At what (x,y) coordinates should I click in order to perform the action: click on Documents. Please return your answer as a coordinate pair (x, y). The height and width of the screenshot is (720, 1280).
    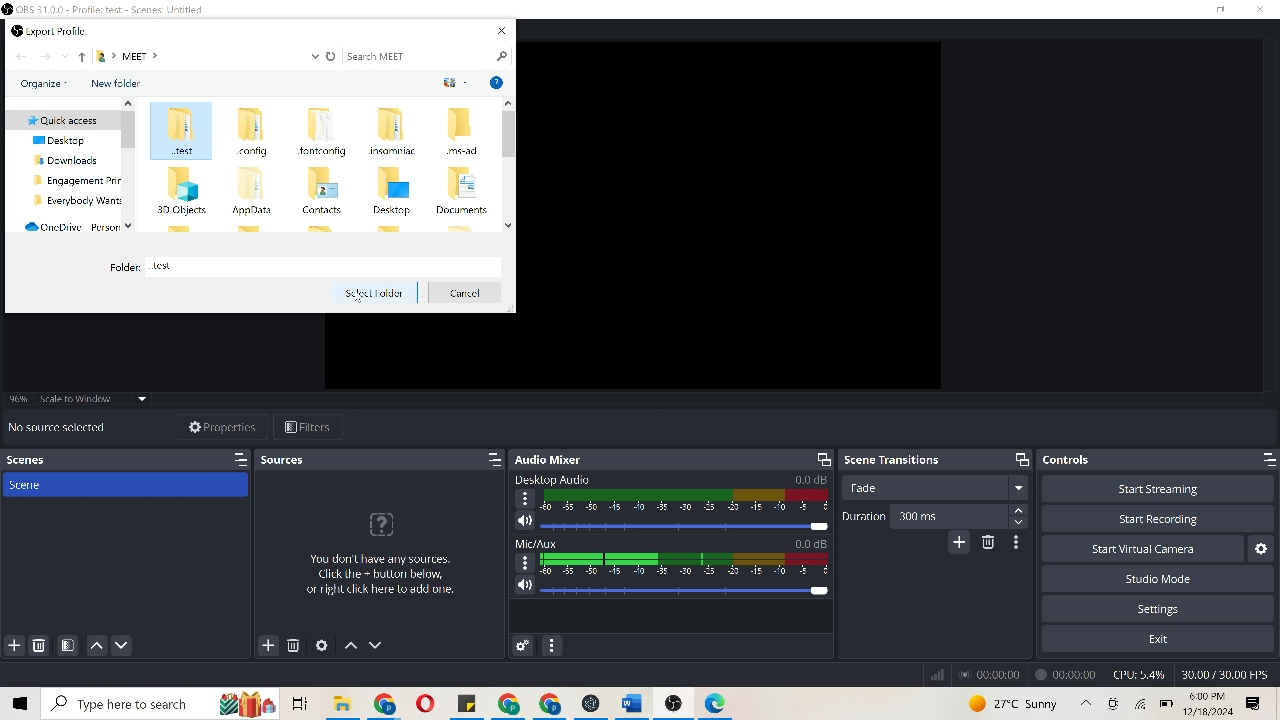
    Looking at the image, I should click on (464, 191).